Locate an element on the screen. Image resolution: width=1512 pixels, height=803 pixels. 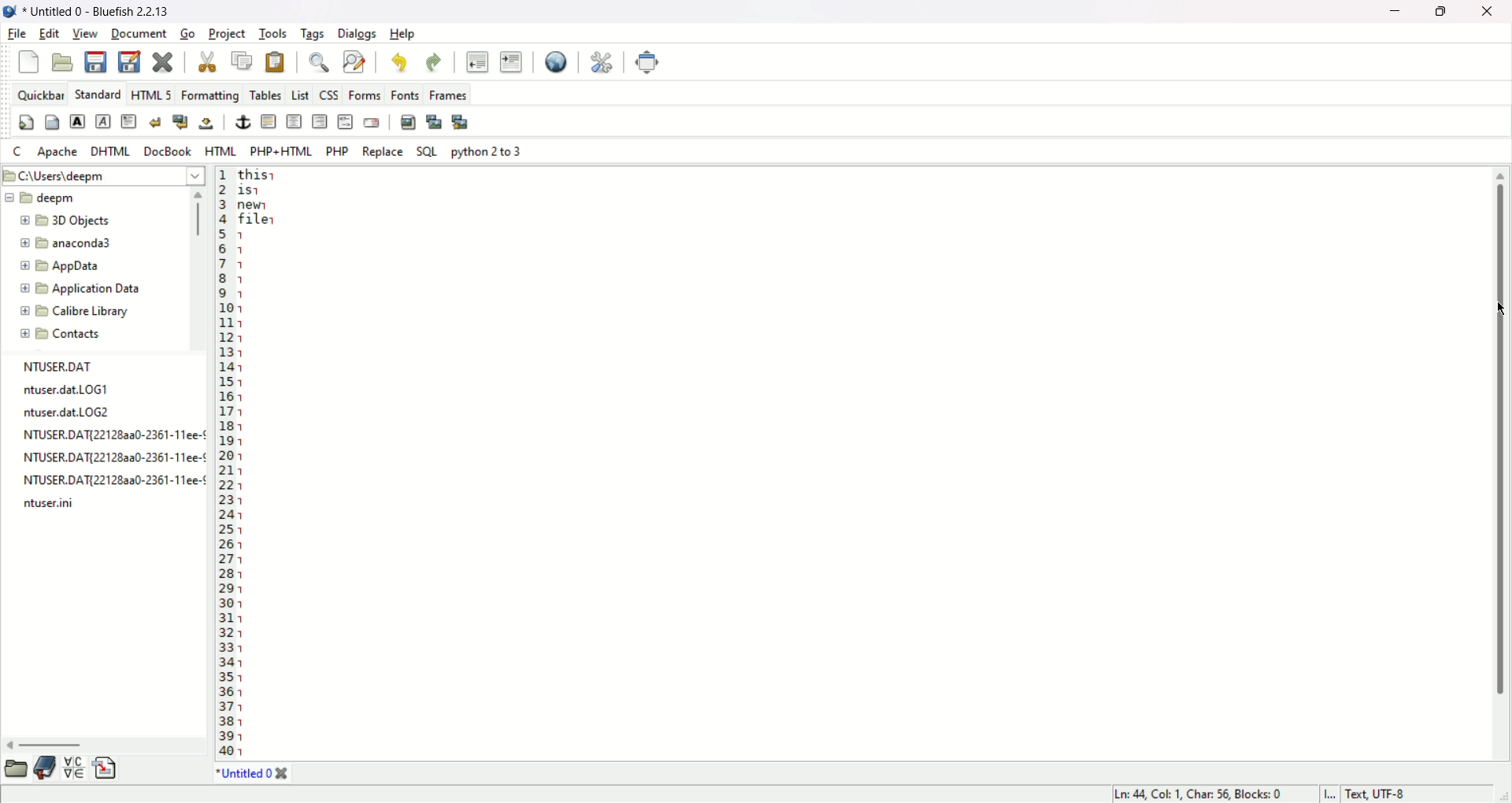
preferences is located at coordinates (600, 63).